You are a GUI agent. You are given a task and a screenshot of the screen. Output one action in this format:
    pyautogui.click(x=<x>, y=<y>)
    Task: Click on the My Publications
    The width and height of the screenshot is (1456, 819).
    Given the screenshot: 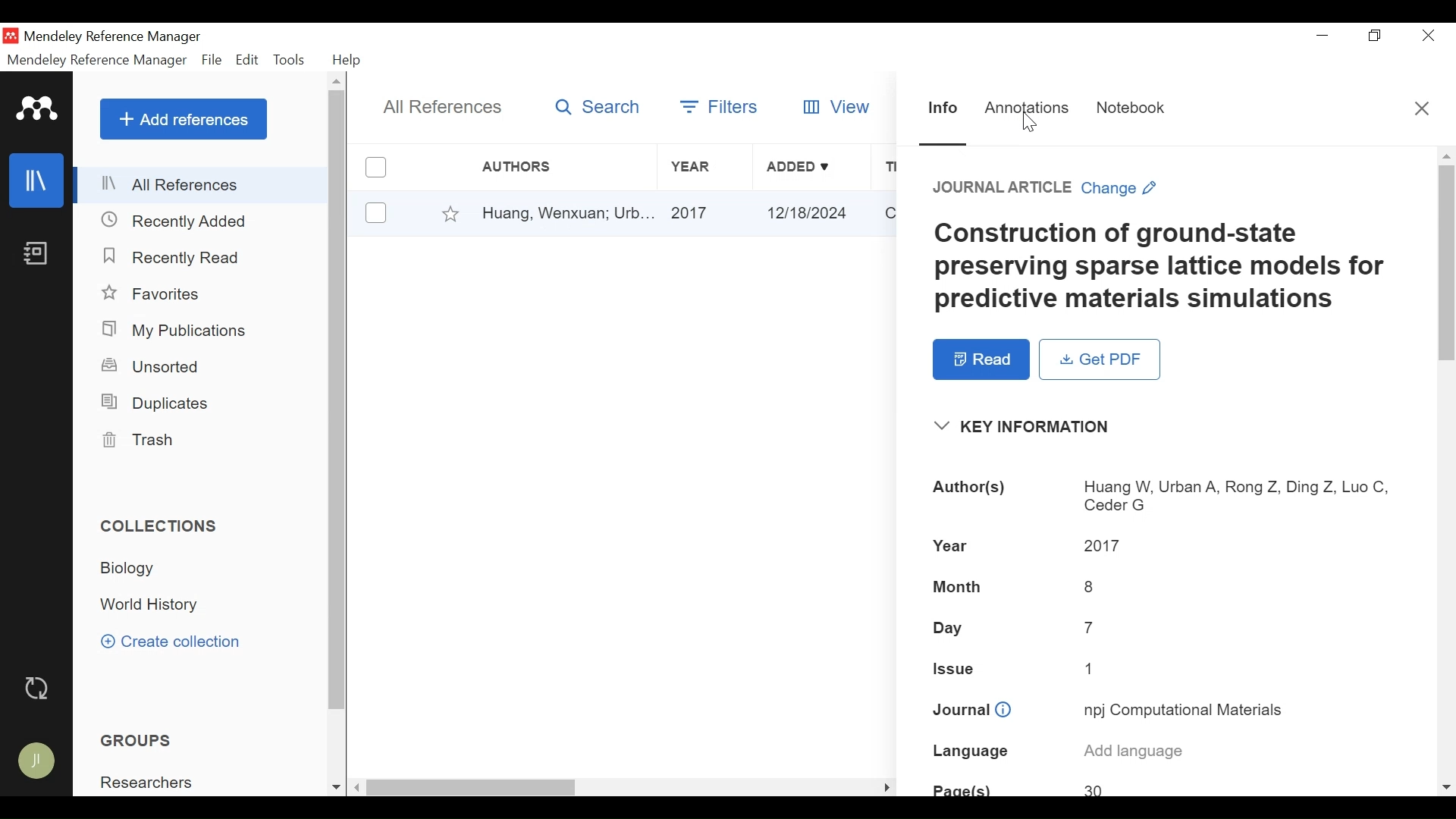 What is the action you would take?
    pyautogui.click(x=179, y=331)
    